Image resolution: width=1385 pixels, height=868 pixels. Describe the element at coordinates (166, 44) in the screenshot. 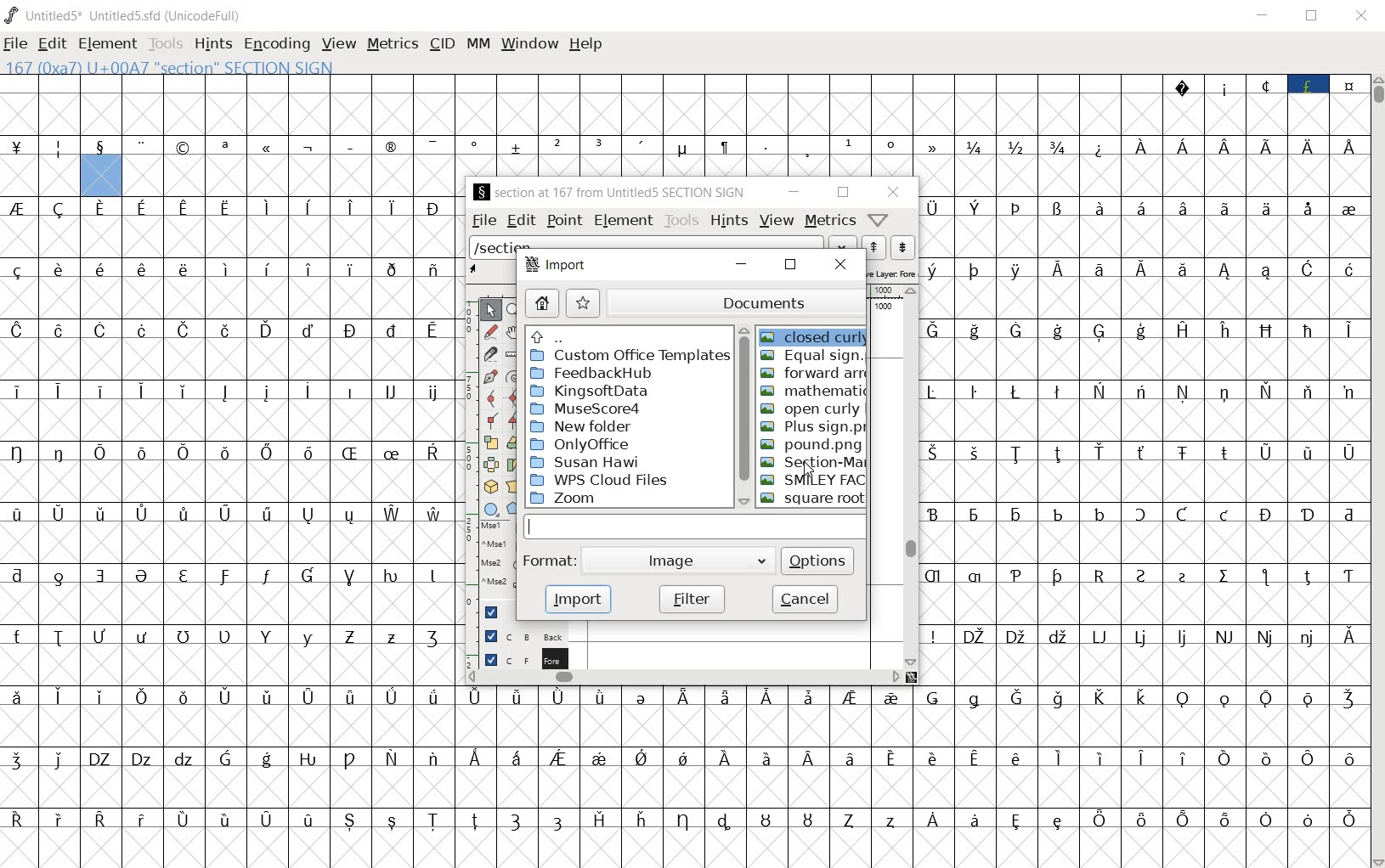

I see `TOOLS` at that location.